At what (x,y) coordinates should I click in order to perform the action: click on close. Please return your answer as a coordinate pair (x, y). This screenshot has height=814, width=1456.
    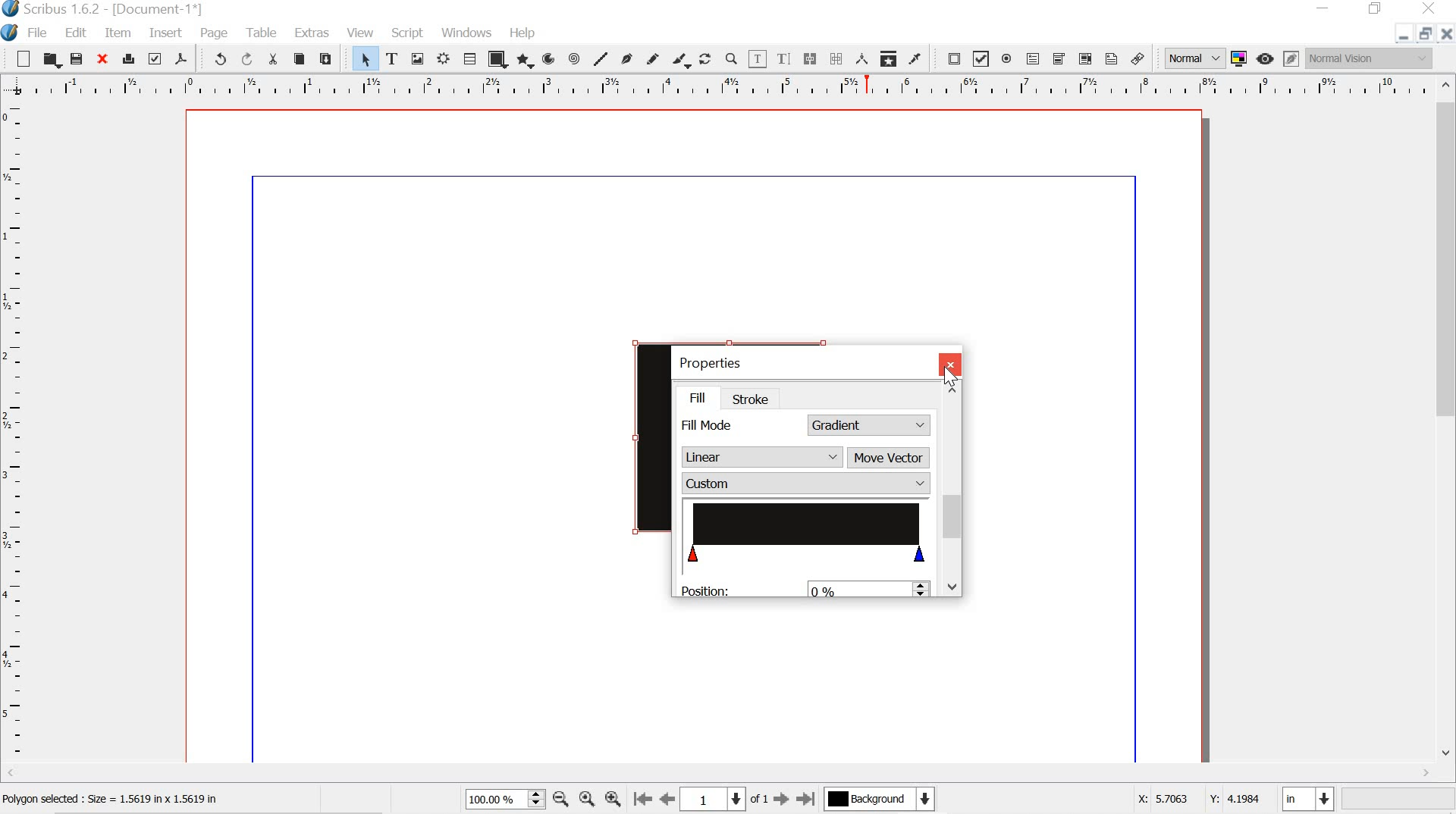
    Looking at the image, I should click on (948, 364).